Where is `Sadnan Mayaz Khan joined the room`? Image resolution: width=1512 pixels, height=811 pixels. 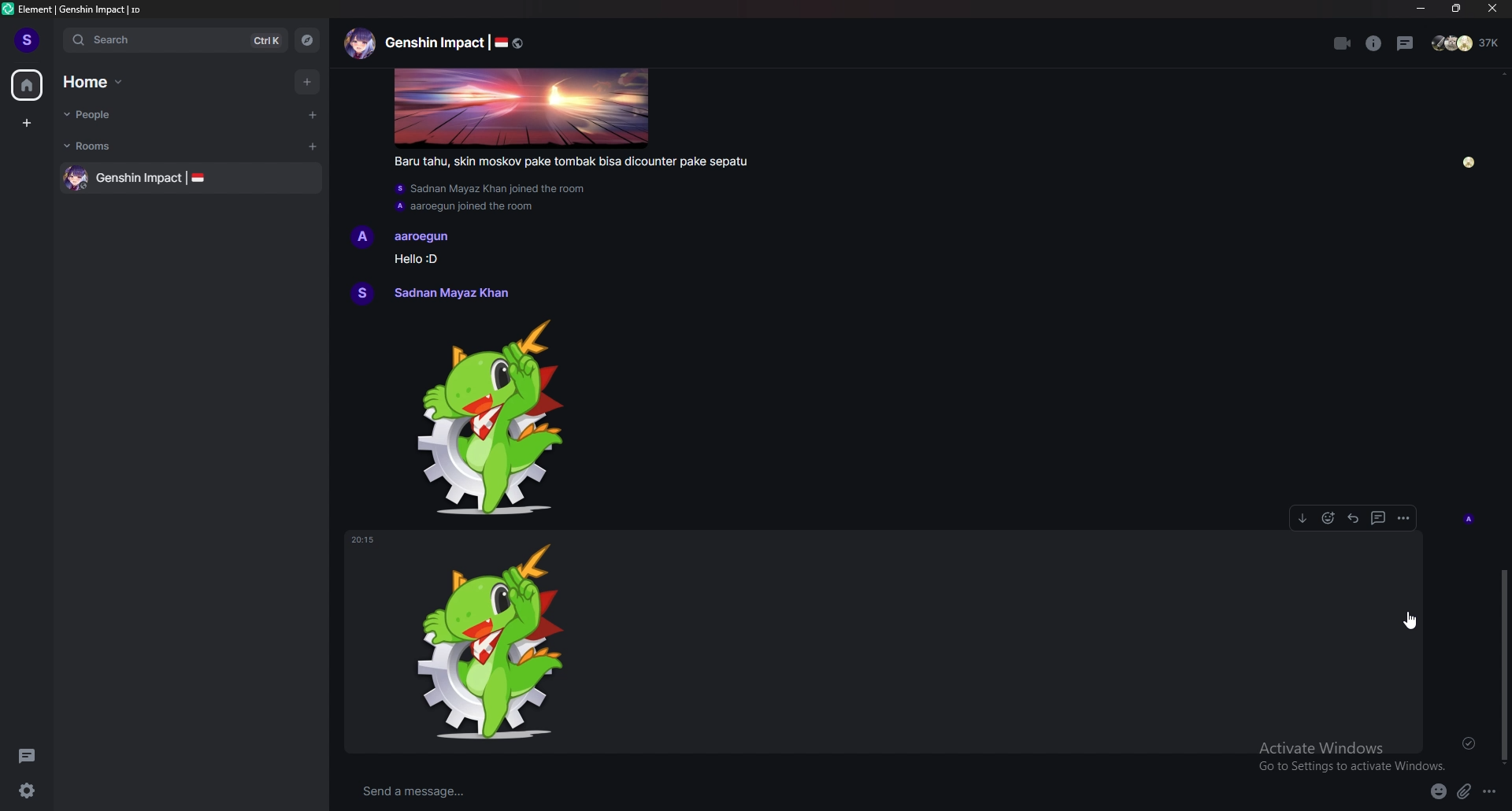
Sadnan Mayaz Khan joined the room is located at coordinates (491, 189).